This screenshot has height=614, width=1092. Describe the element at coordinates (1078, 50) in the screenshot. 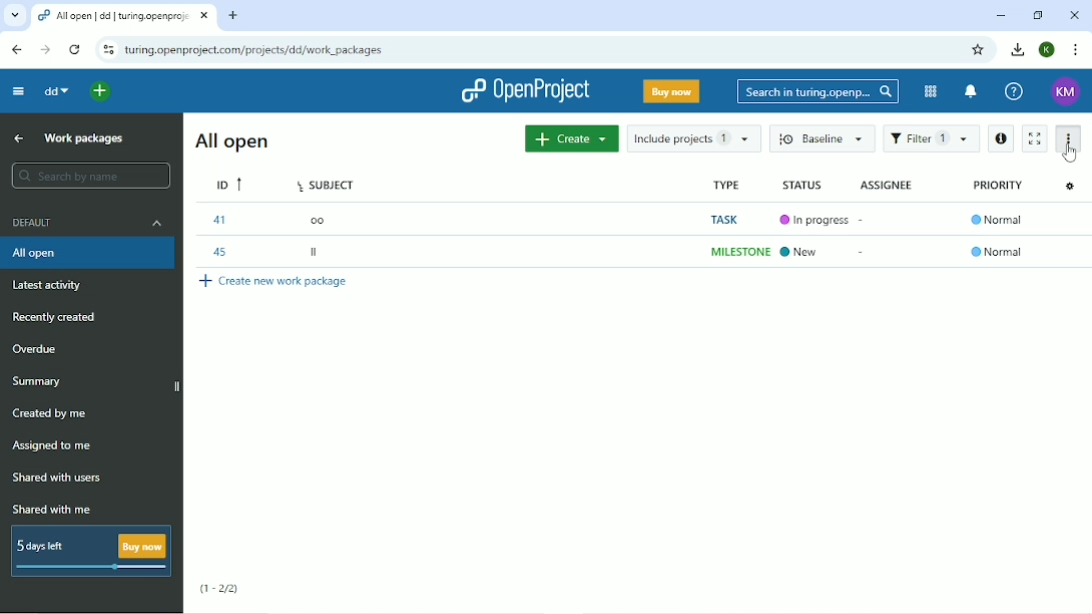

I see `Customize and control google chrome` at that location.